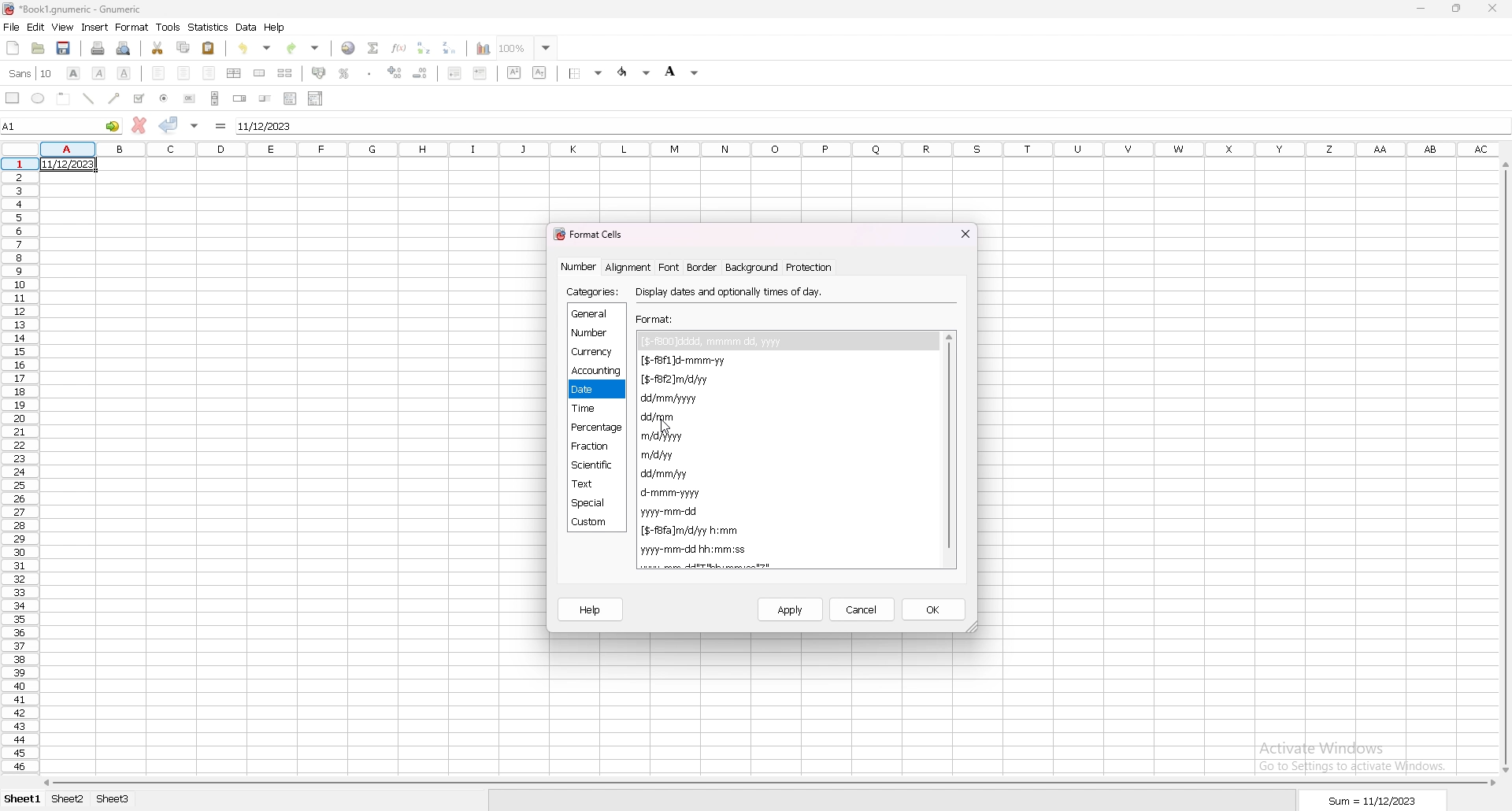 The width and height of the screenshot is (1512, 811). I want to click on text, so click(596, 484).